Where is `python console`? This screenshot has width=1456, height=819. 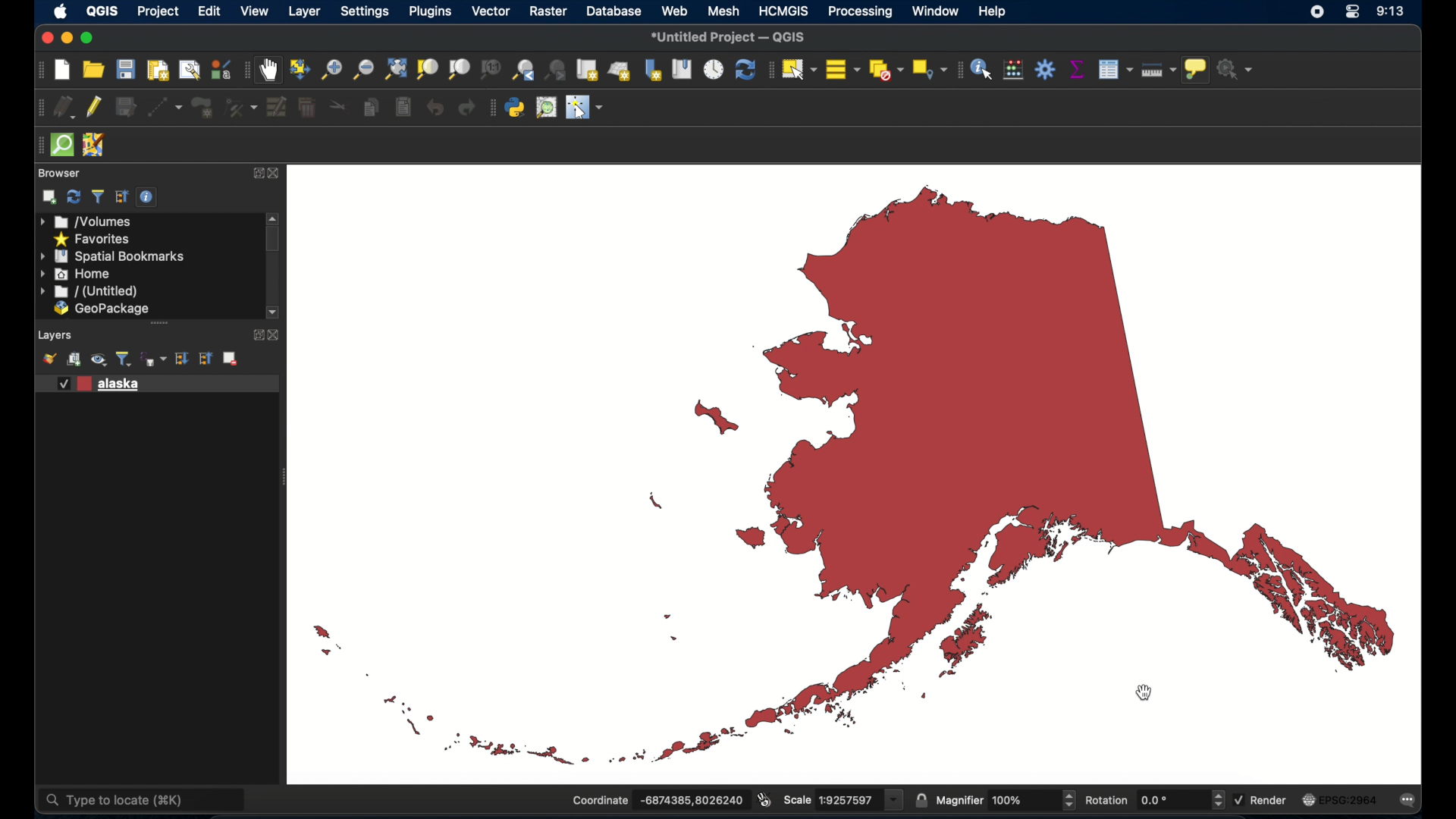 python console is located at coordinates (516, 108).